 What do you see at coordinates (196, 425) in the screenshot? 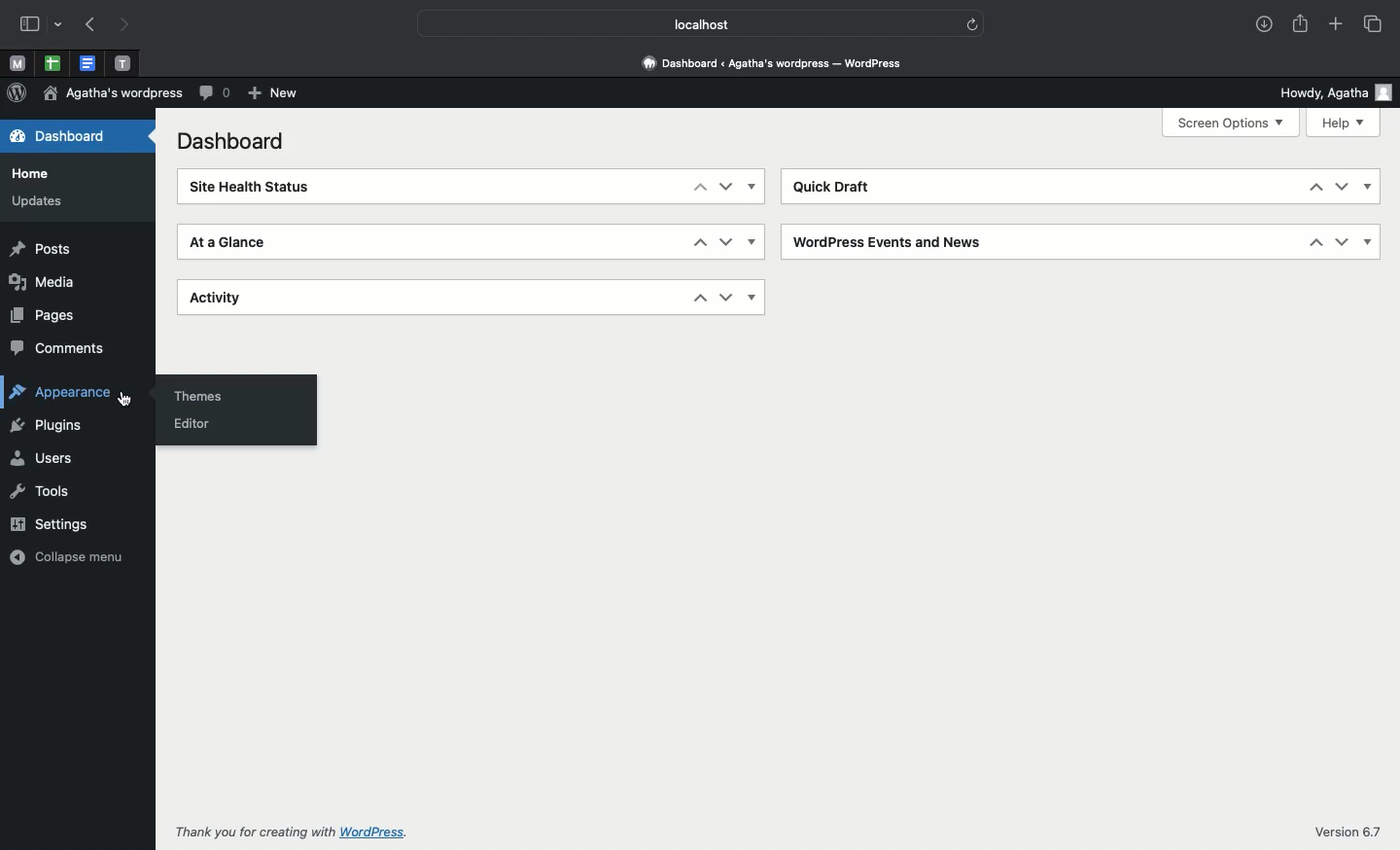
I see `Editor` at bounding box center [196, 425].